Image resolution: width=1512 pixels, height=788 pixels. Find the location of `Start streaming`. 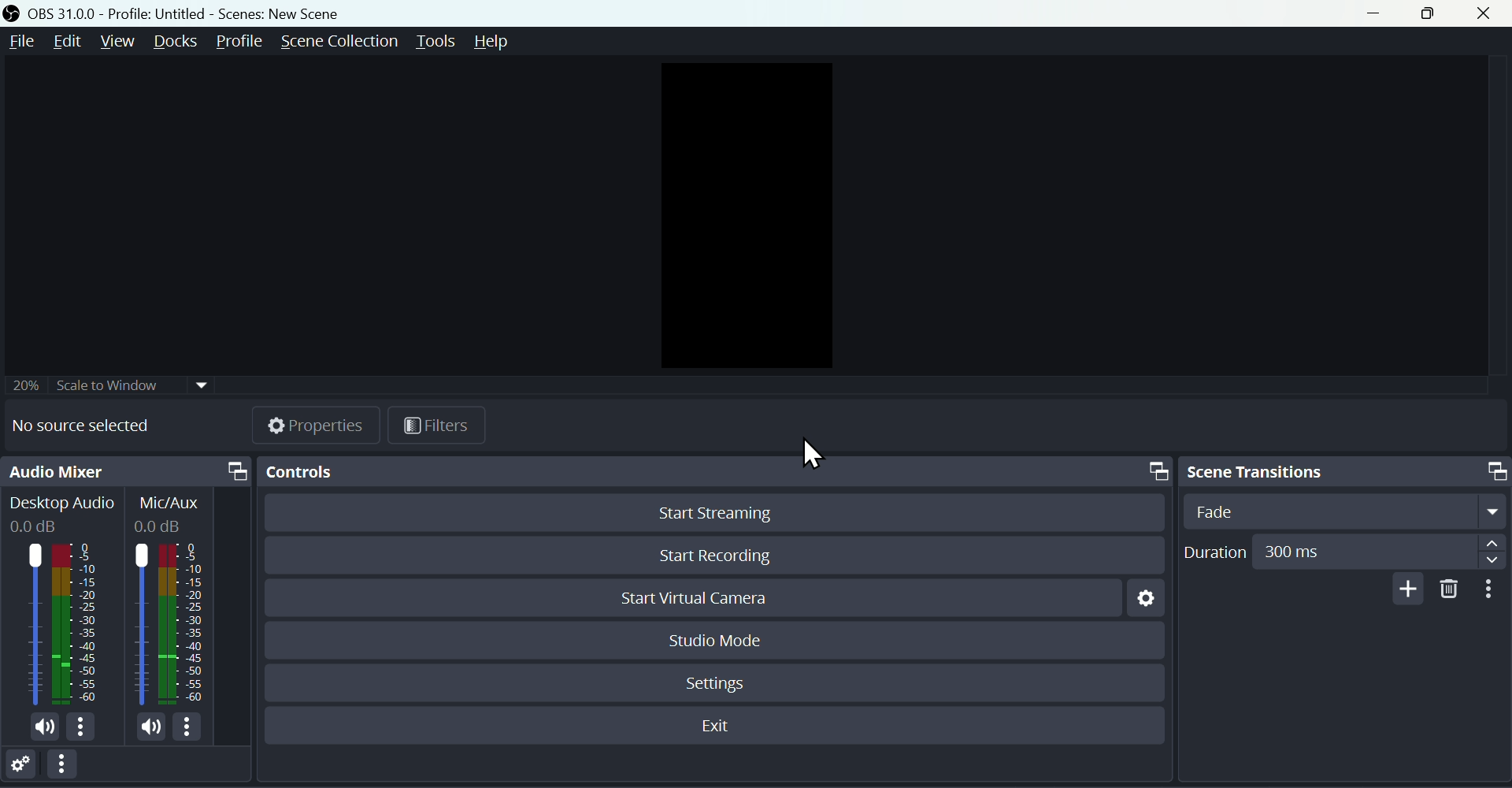

Start streaming is located at coordinates (710, 515).